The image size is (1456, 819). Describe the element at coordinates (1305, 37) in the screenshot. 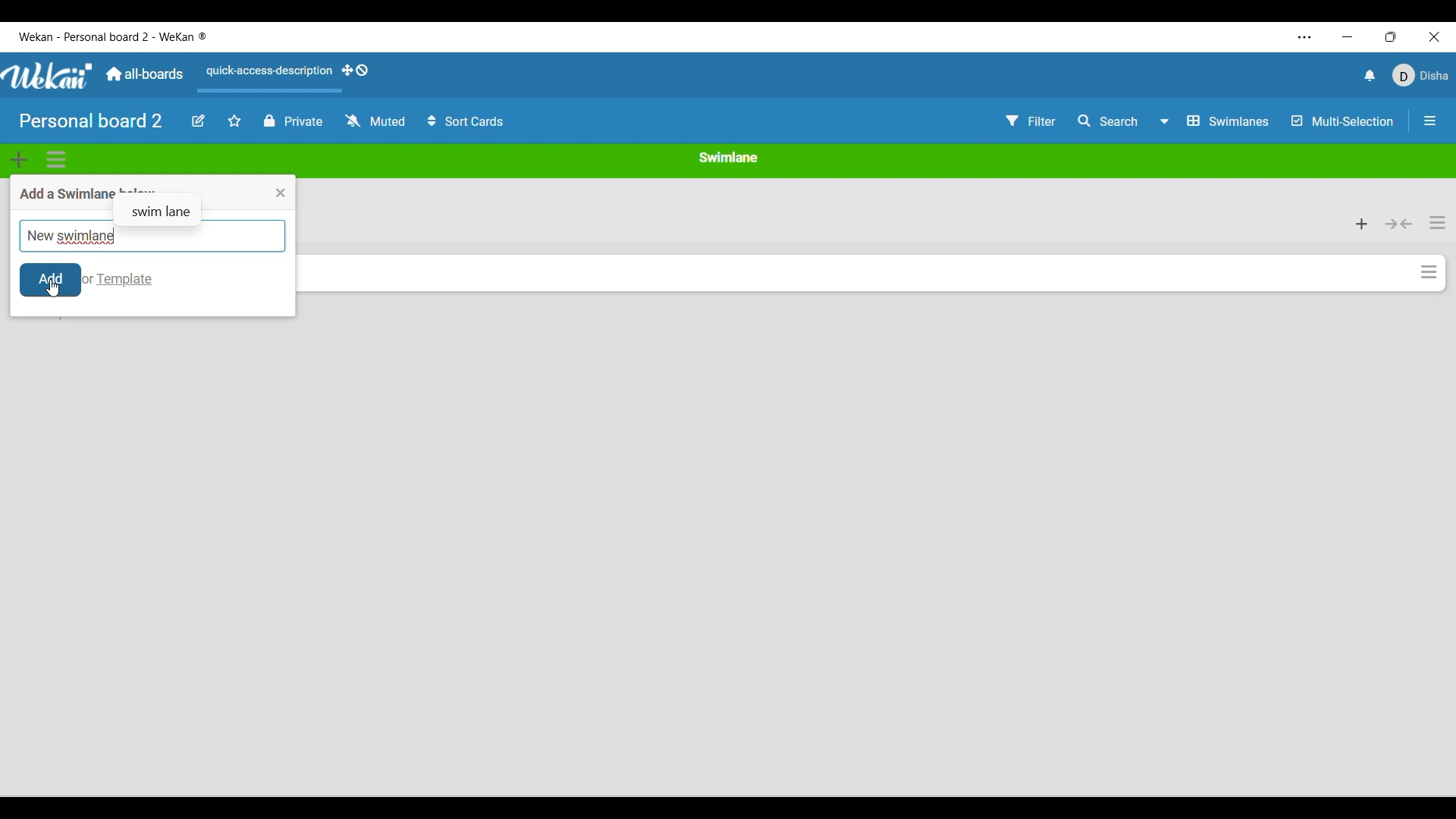

I see `More settings` at that location.